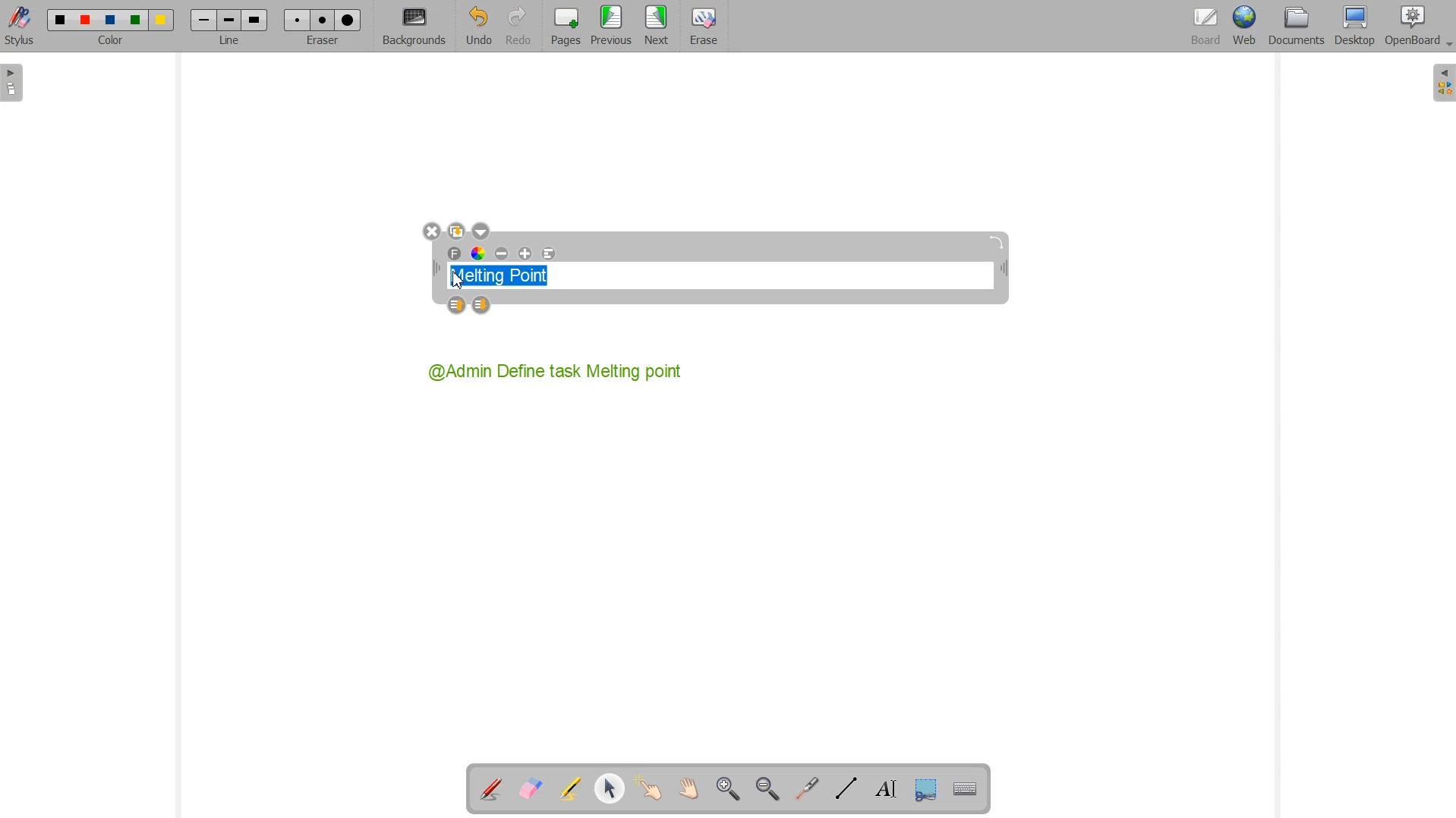 This screenshot has width=1456, height=818. What do you see at coordinates (481, 231) in the screenshot?
I see `Dropdown box` at bounding box center [481, 231].